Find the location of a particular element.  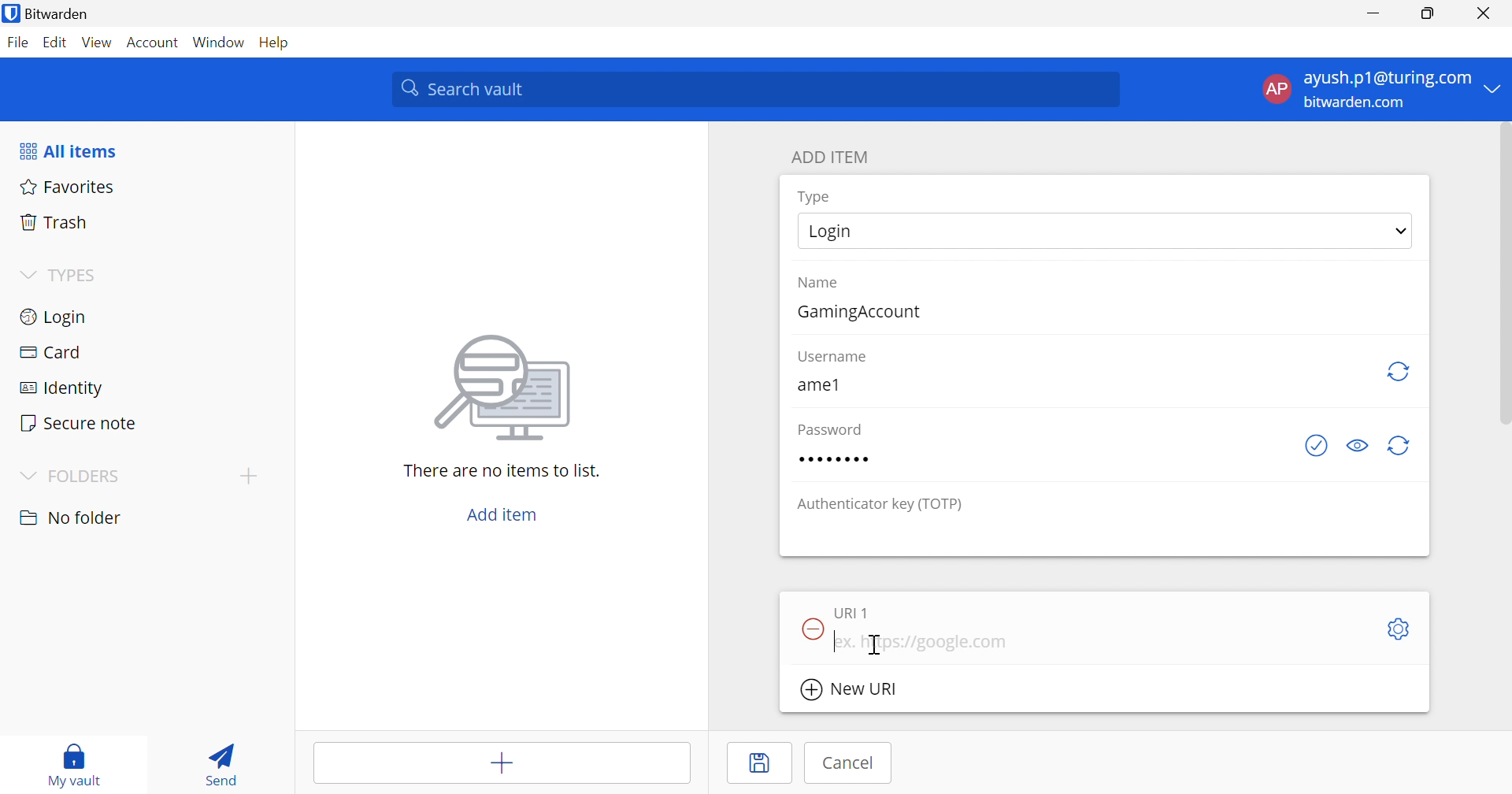

Typing Cursor is located at coordinates (837, 640).